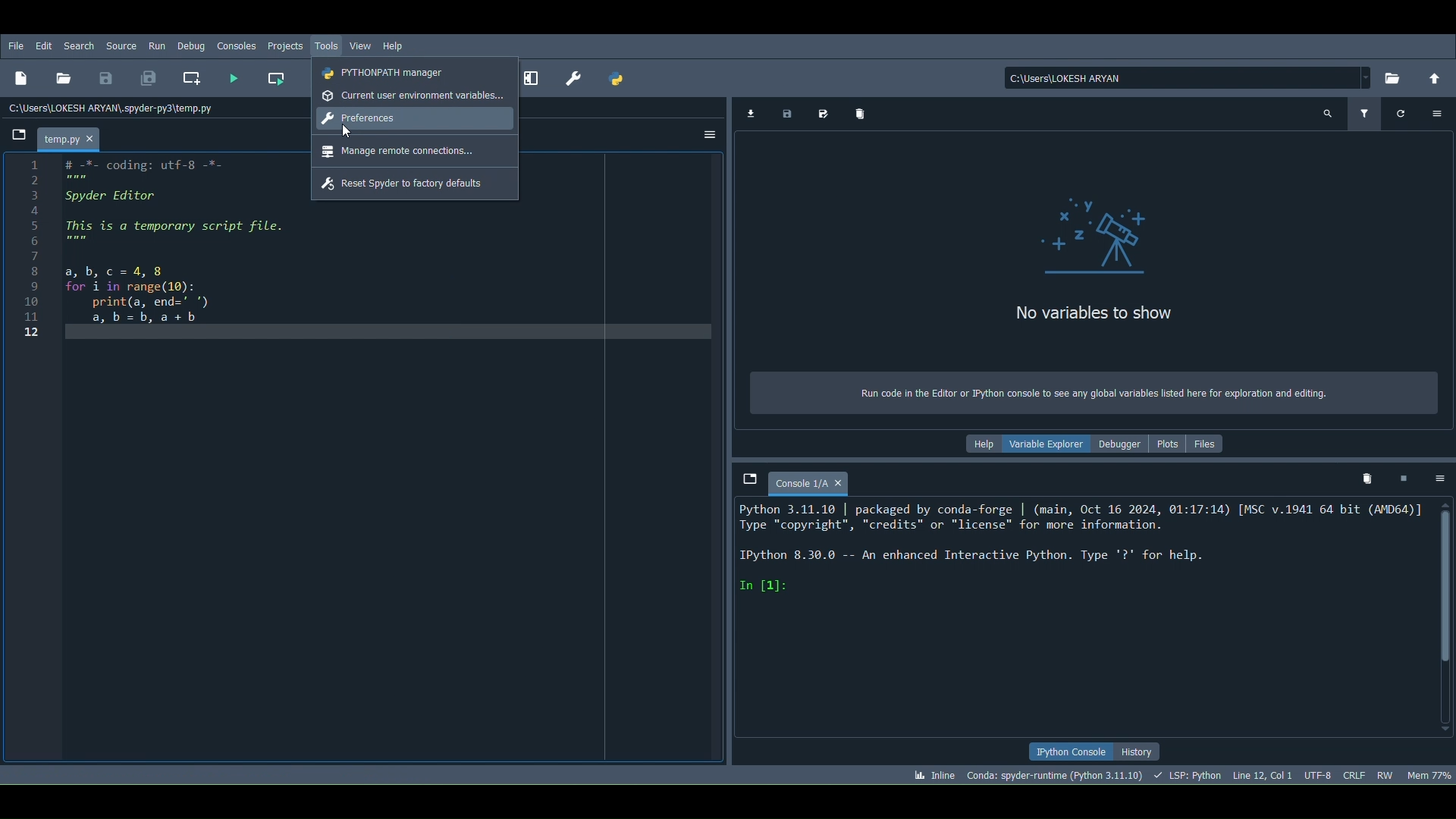 The width and height of the screenshot is (1456, 819). What do you see at coordinates (410, 118) in the screenshot?
I see `Preferences` at bounding box center [410, 118].